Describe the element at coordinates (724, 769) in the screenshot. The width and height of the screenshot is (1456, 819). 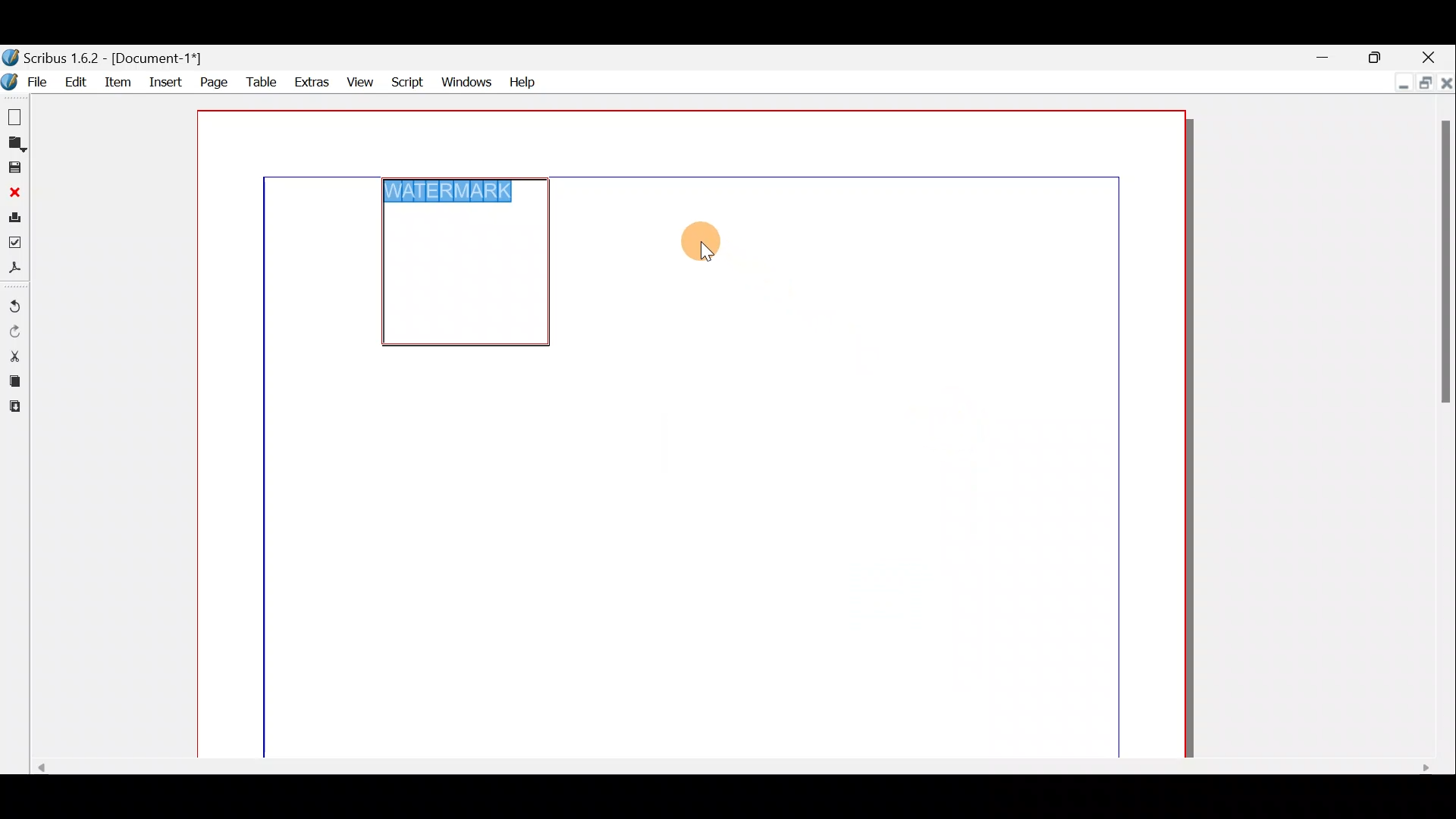
I see `Scroll bar` at that location.